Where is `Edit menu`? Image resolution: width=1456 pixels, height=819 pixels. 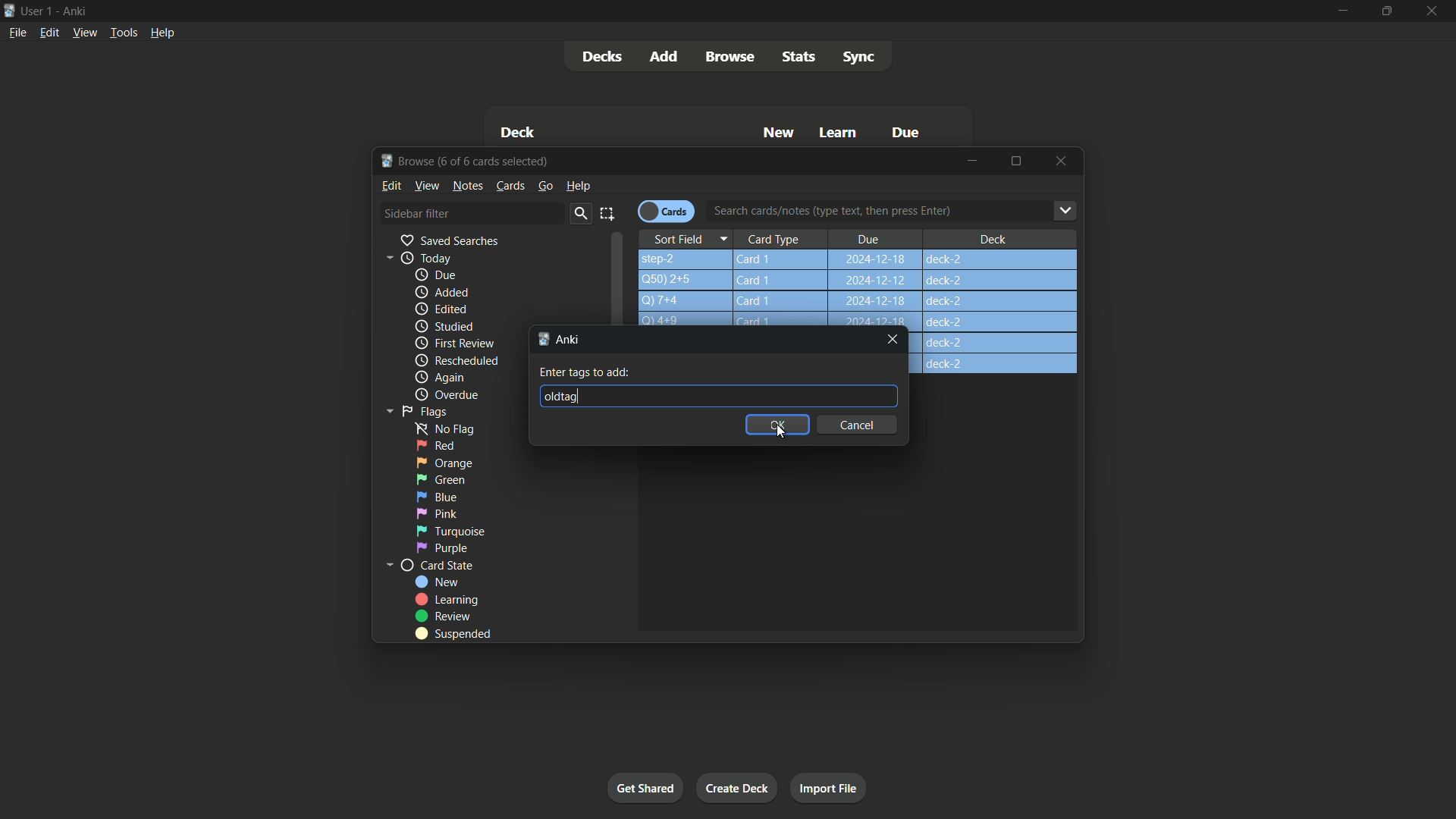
Edit menu is located at coordinates (49, 34).